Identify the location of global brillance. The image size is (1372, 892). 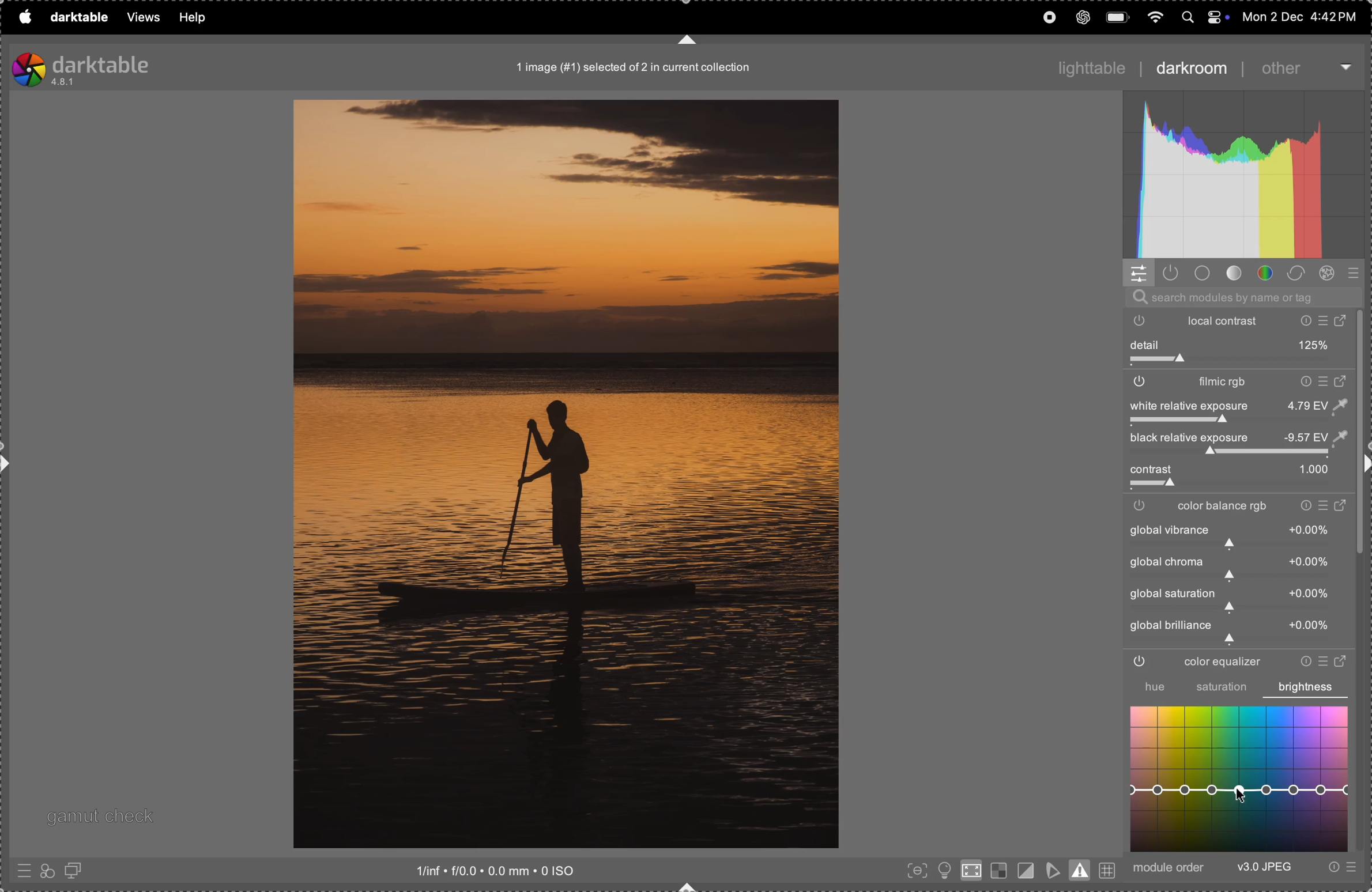
(1232, 631).